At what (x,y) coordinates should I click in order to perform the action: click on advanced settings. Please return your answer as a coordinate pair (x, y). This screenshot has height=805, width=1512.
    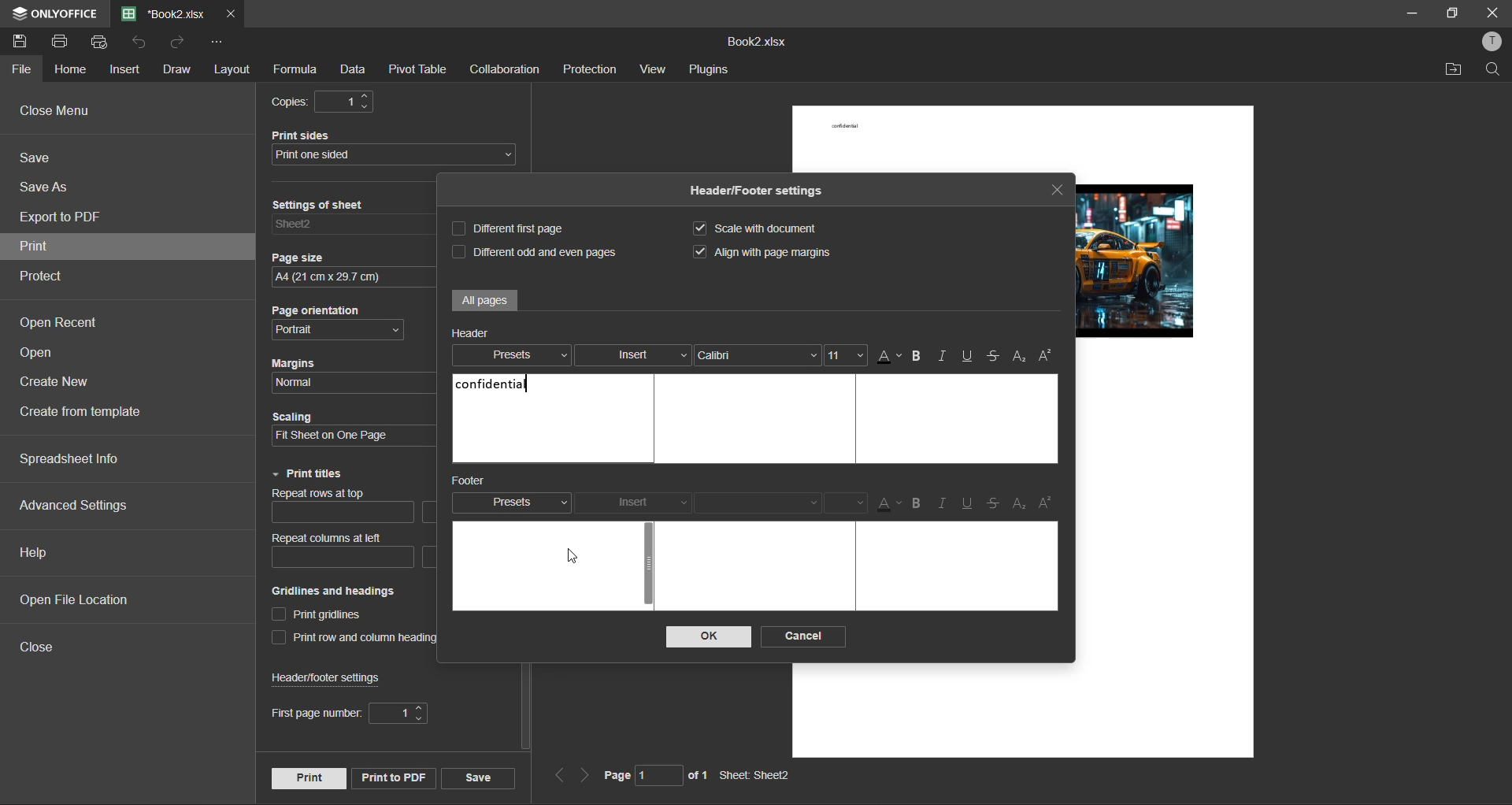
    Looking at the image, I should click on (80, 507).